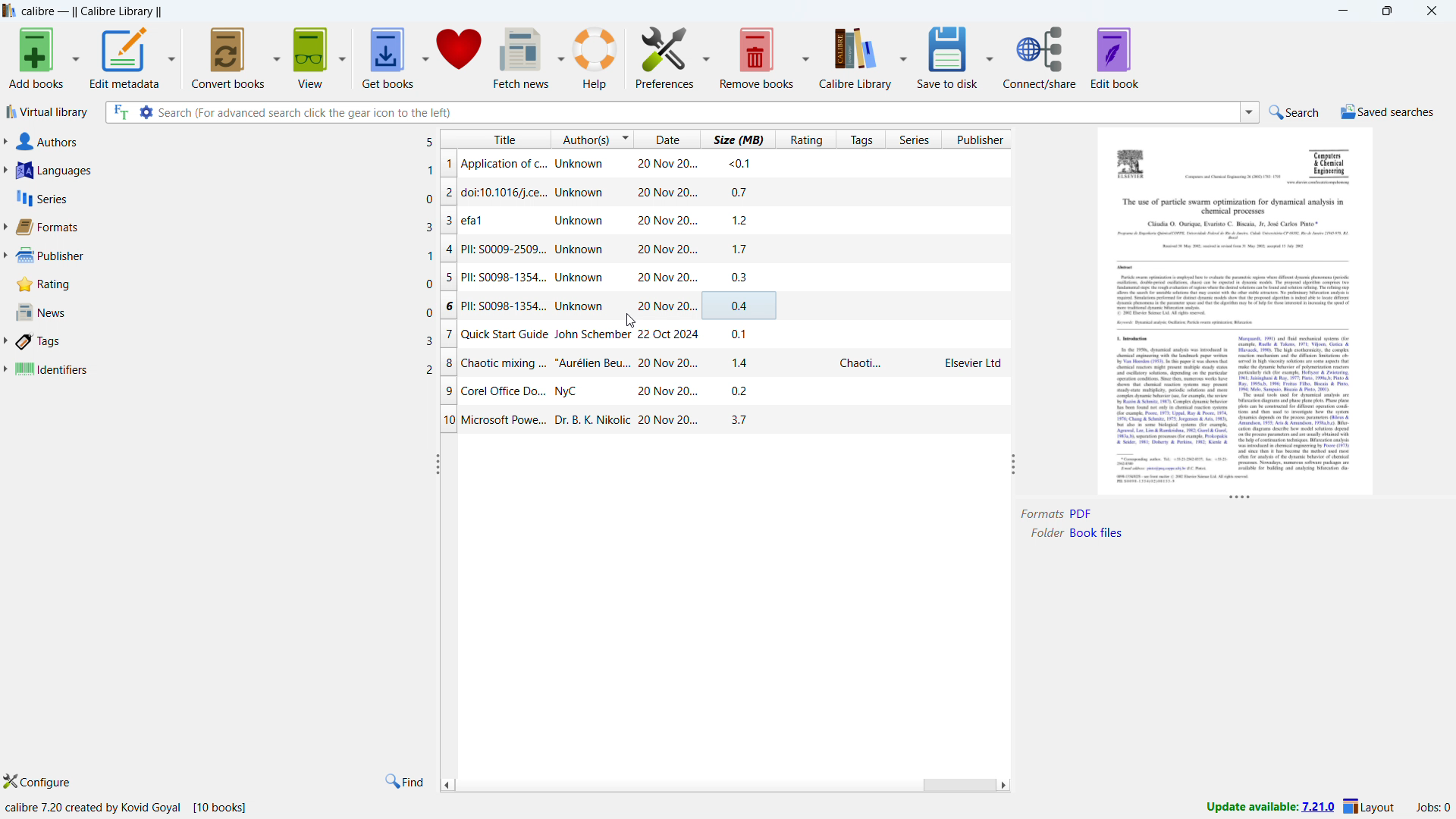 The width and height of the screenshot is (1456, 819). Describe the element at coordinates (560, 55) in the screenshot. I see `fetch news options` at that location.